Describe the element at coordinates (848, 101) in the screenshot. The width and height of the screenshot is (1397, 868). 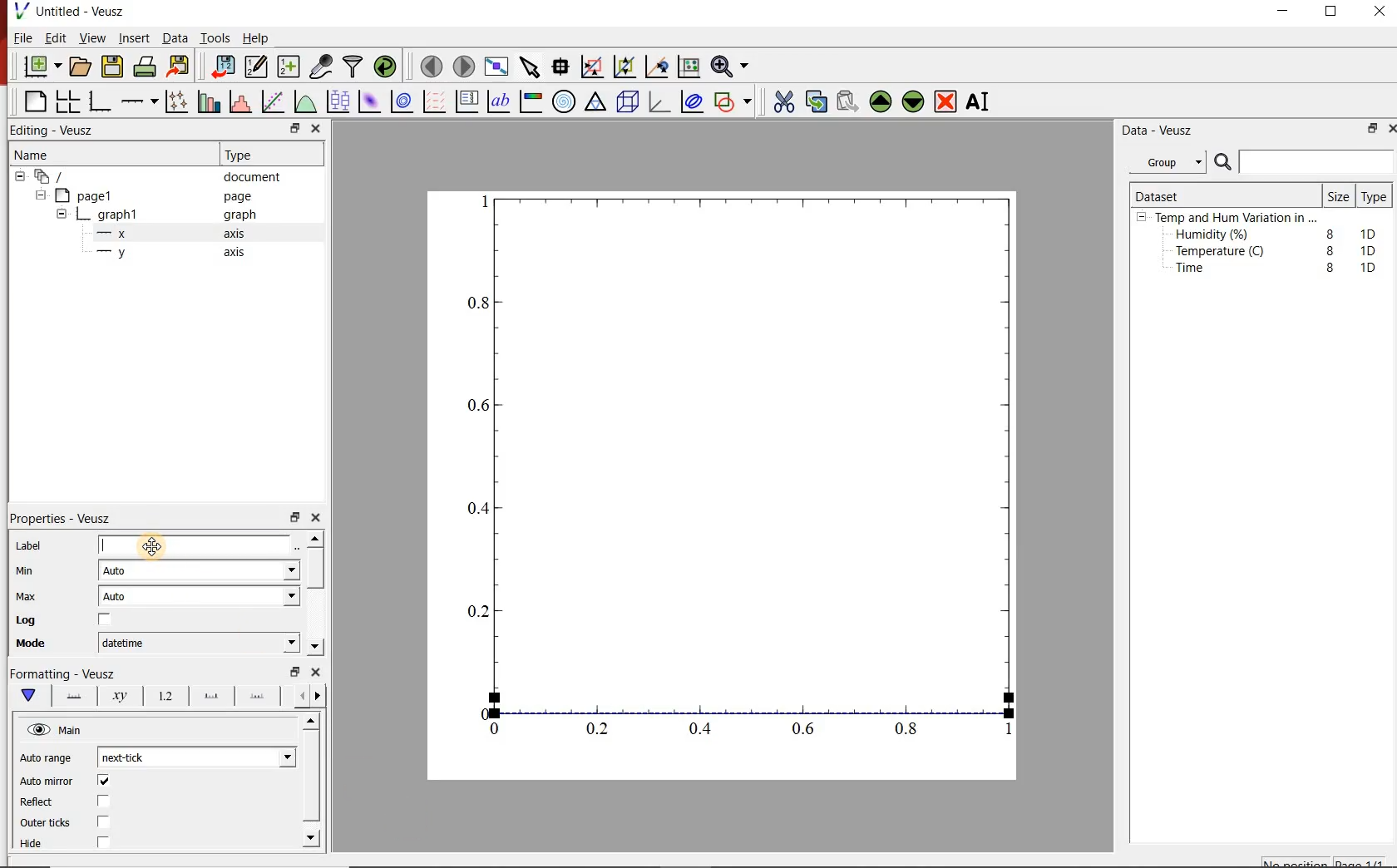
I see `Paste widget from the clipboard` at that location.